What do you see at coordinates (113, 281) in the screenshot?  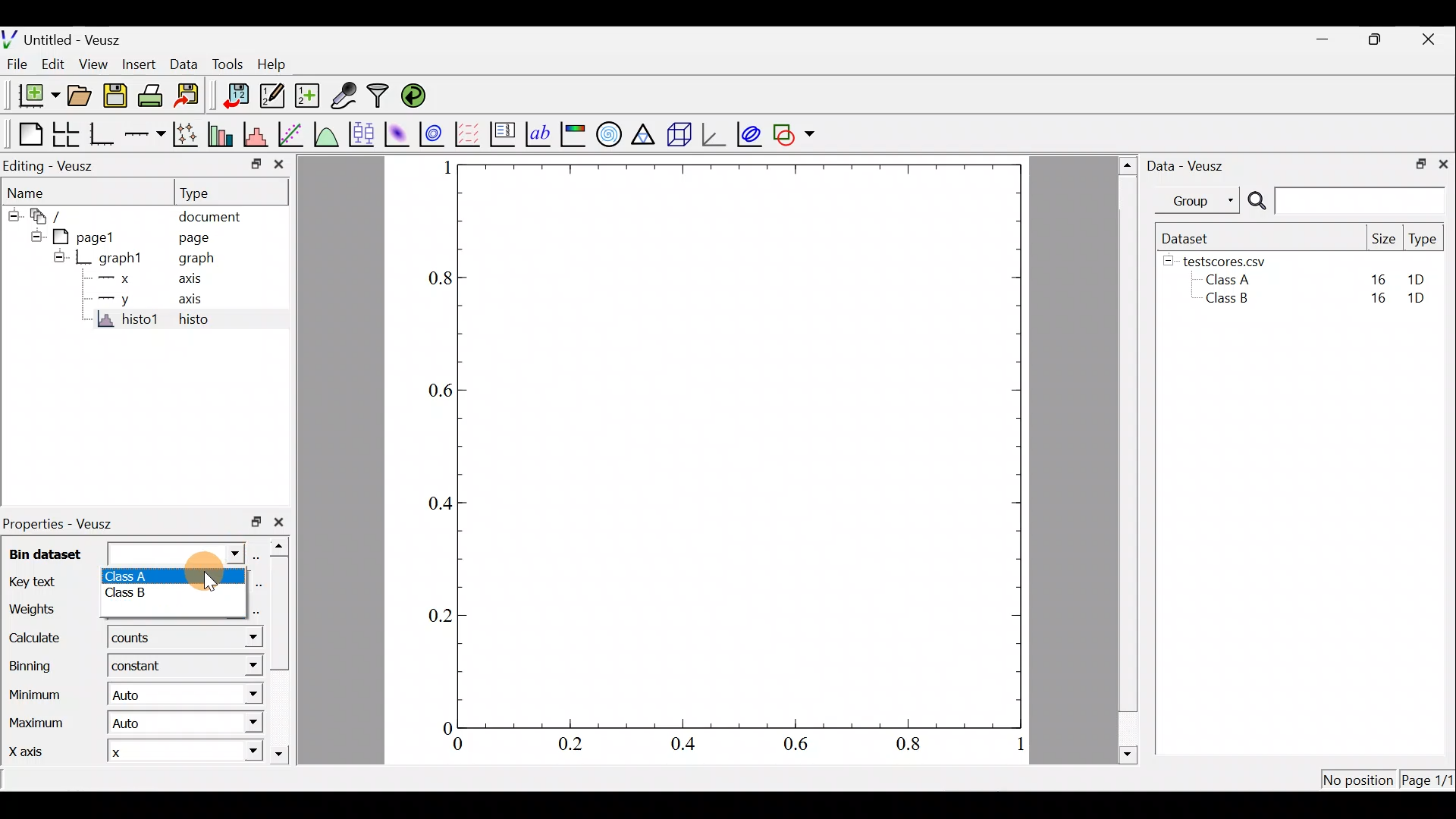 I see `x` at bounding box center [113, 281].